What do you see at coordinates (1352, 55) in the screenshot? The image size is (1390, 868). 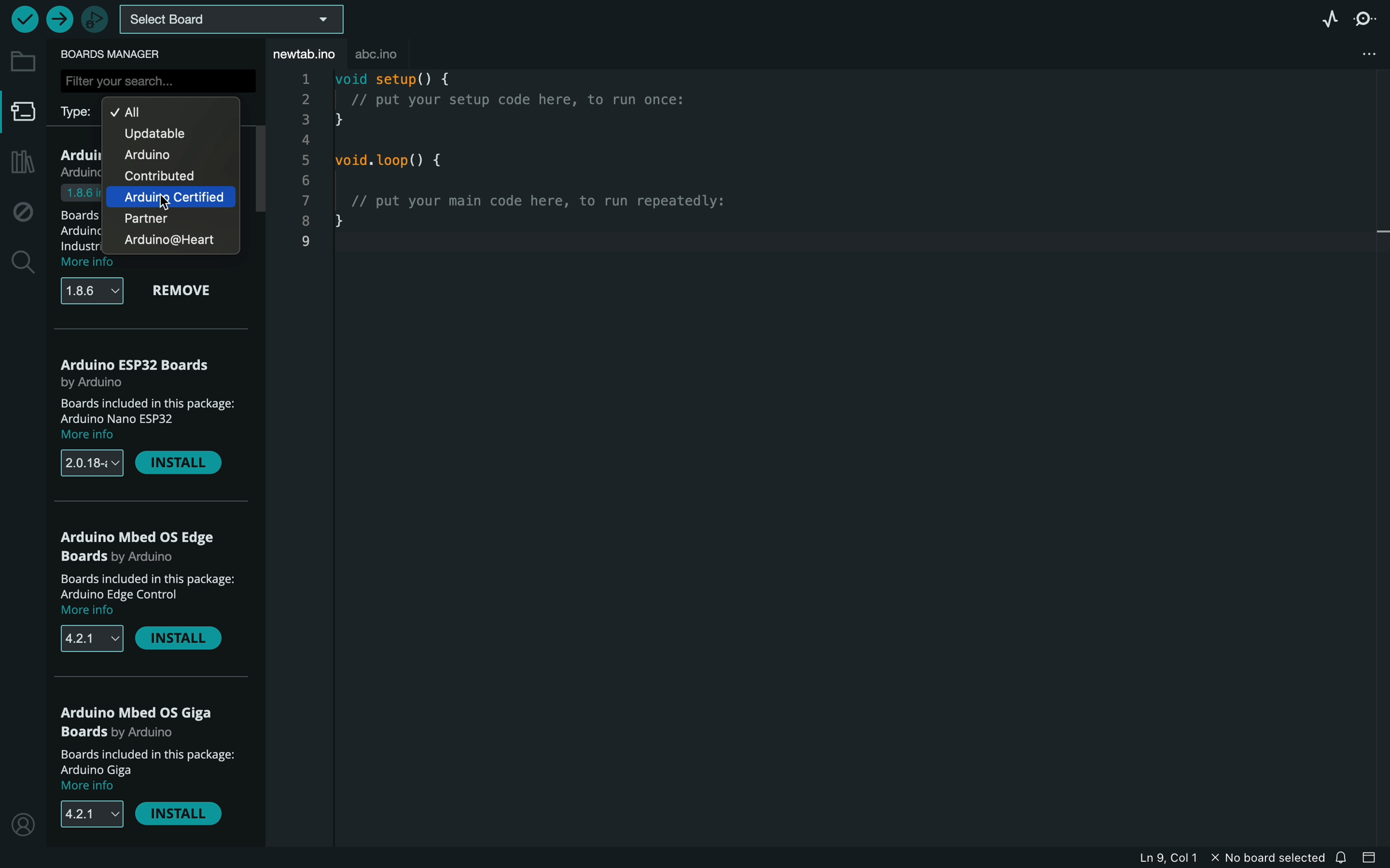 I see `file settings` at bounding box center [1352, 55].